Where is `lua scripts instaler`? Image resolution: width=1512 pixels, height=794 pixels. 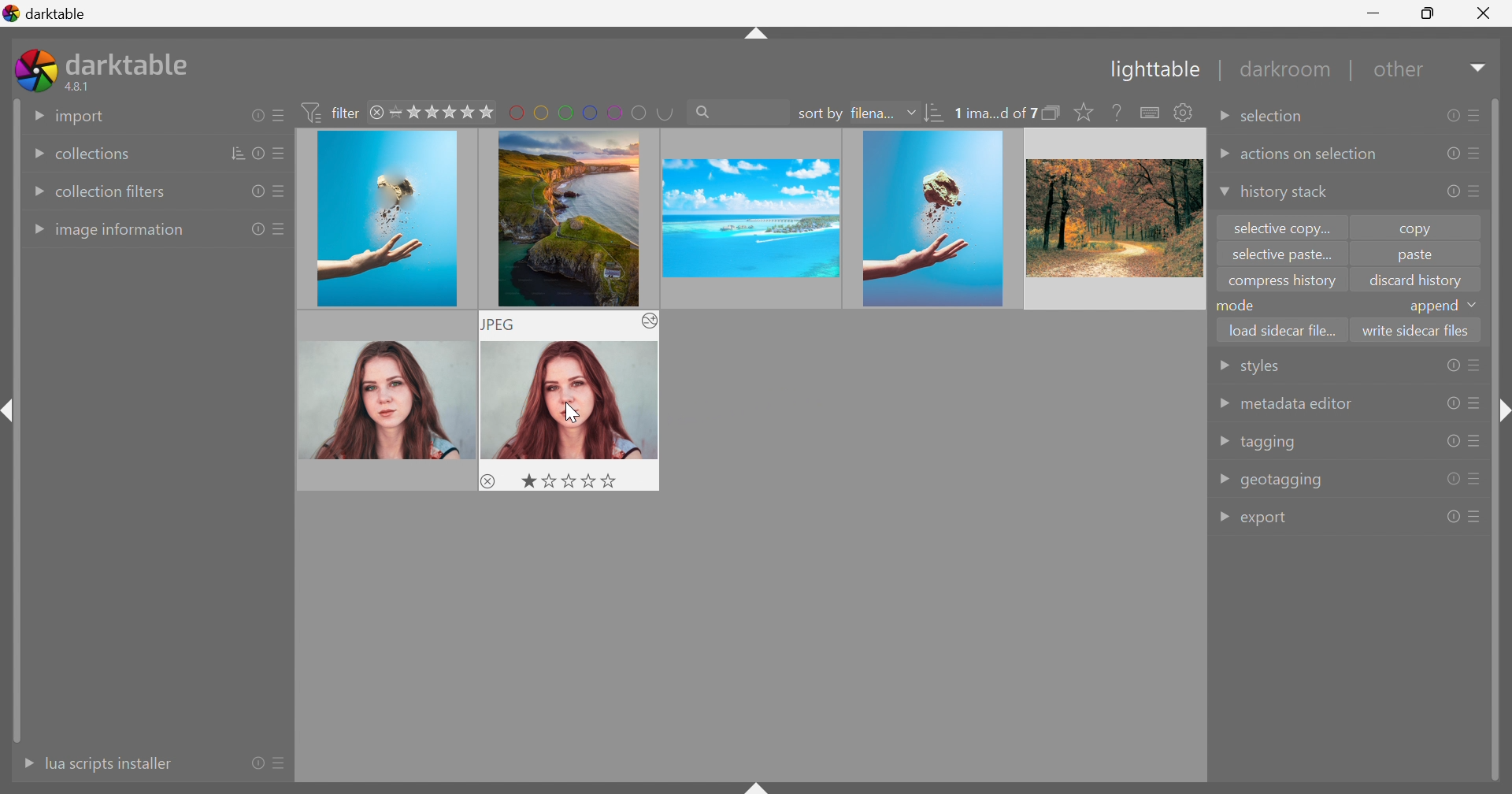
lua scripts instaler is located at coordinates (108, 763).